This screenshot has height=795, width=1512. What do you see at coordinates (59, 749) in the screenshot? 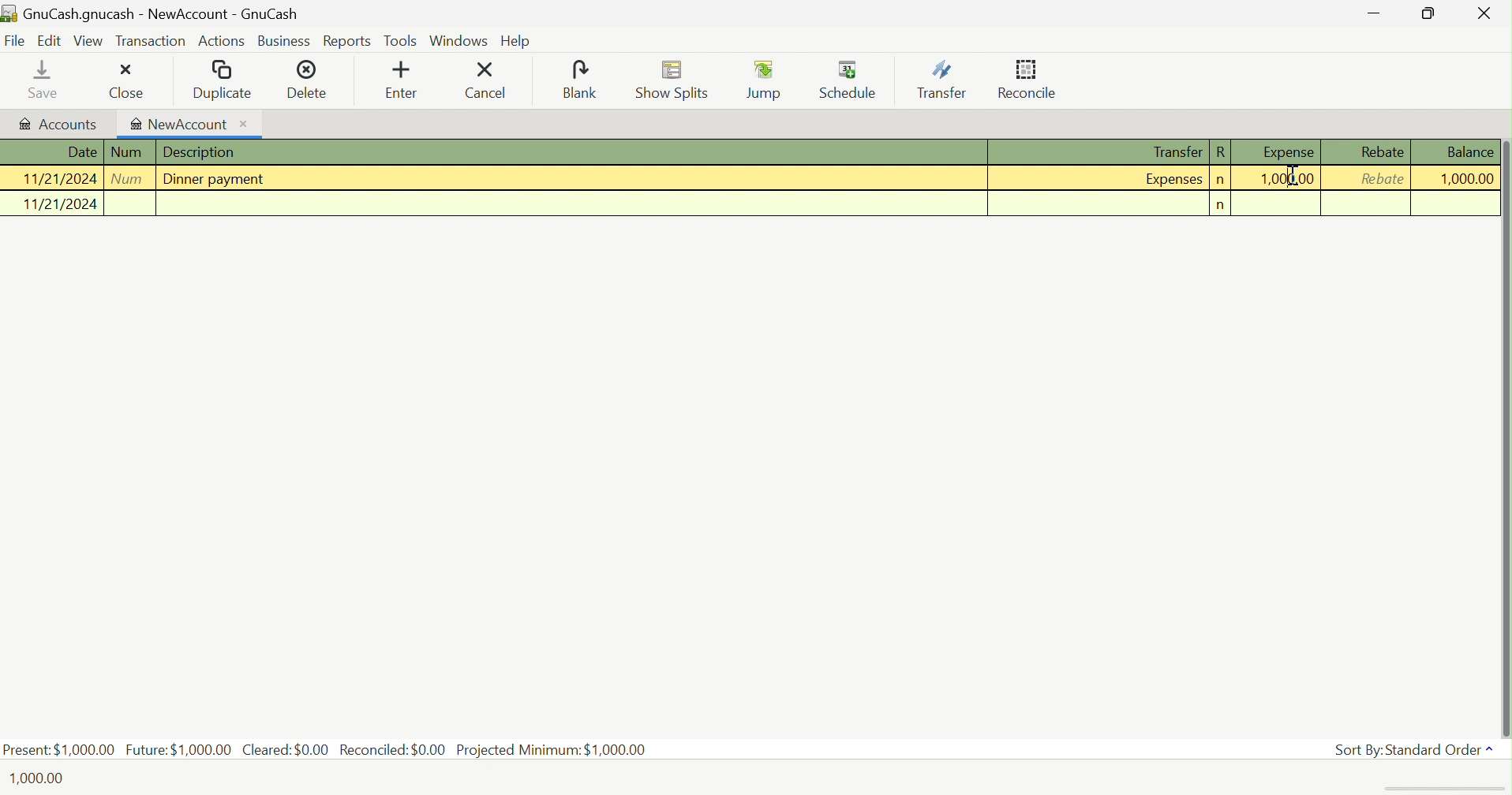
I see `Present: $1,000.00` at bounding box center [59, 749].